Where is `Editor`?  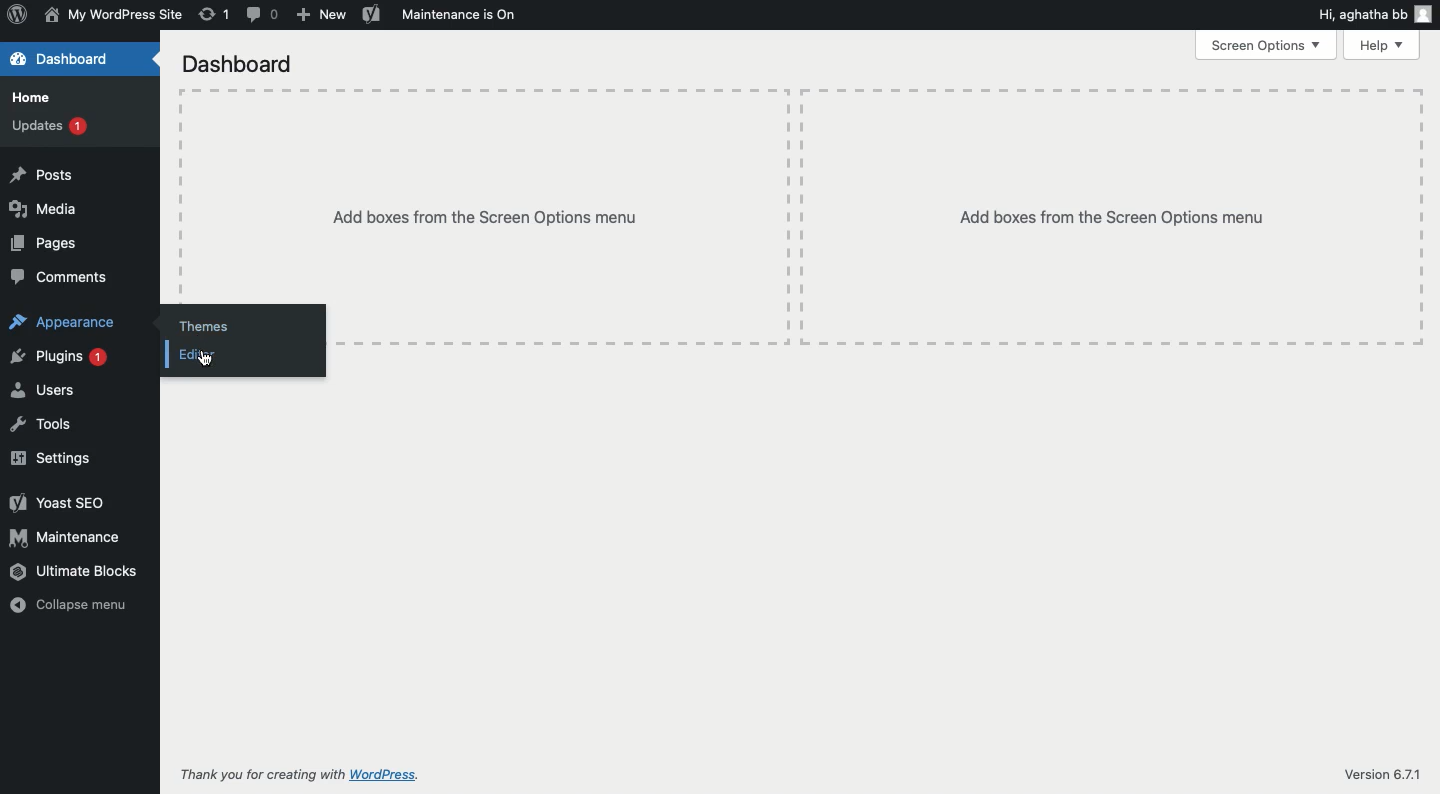 Editor is located at coordinates (200, 354).